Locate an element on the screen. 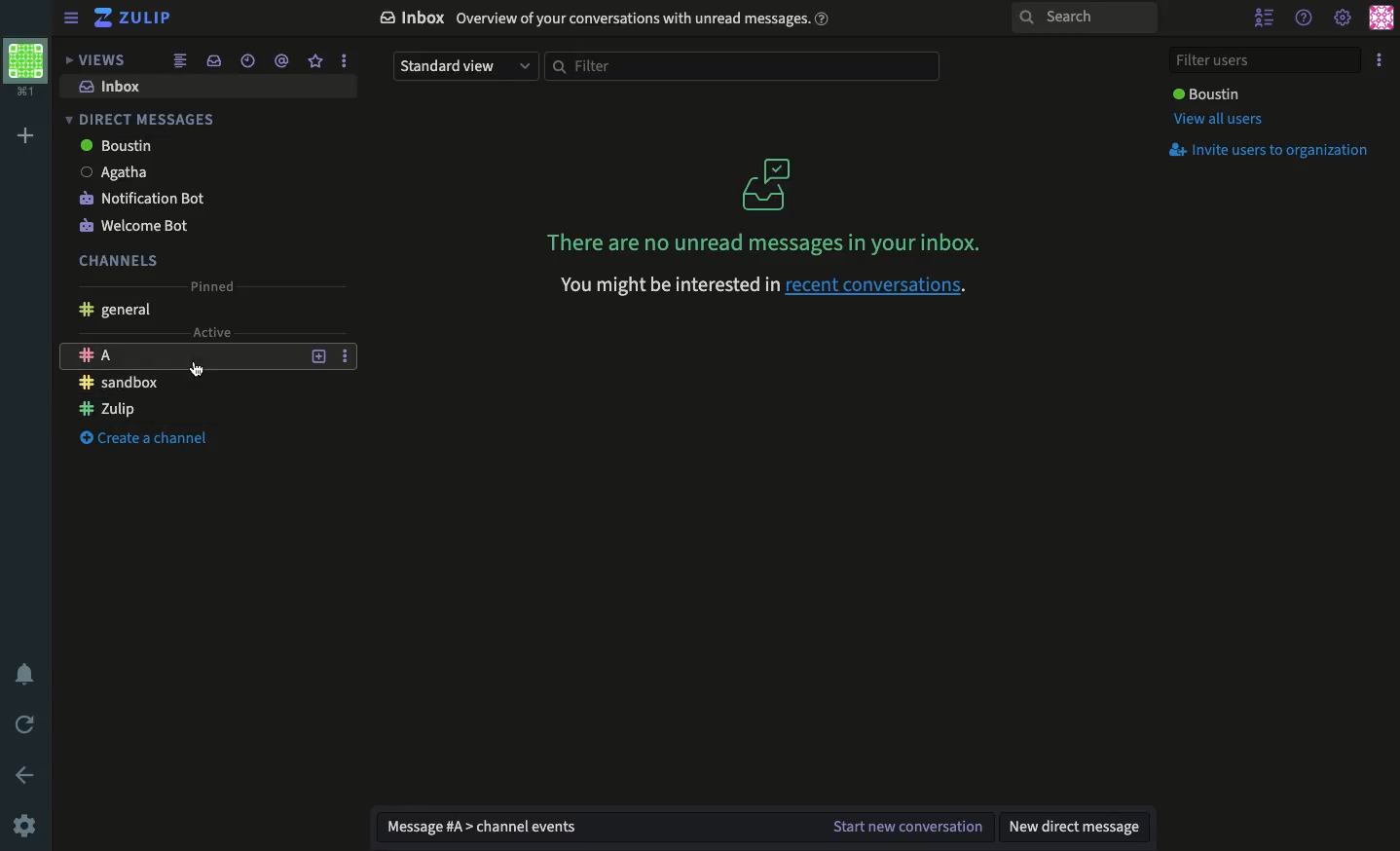 This screenshot has width=1400, height=851. cursor is located at coordinates (198, 370).